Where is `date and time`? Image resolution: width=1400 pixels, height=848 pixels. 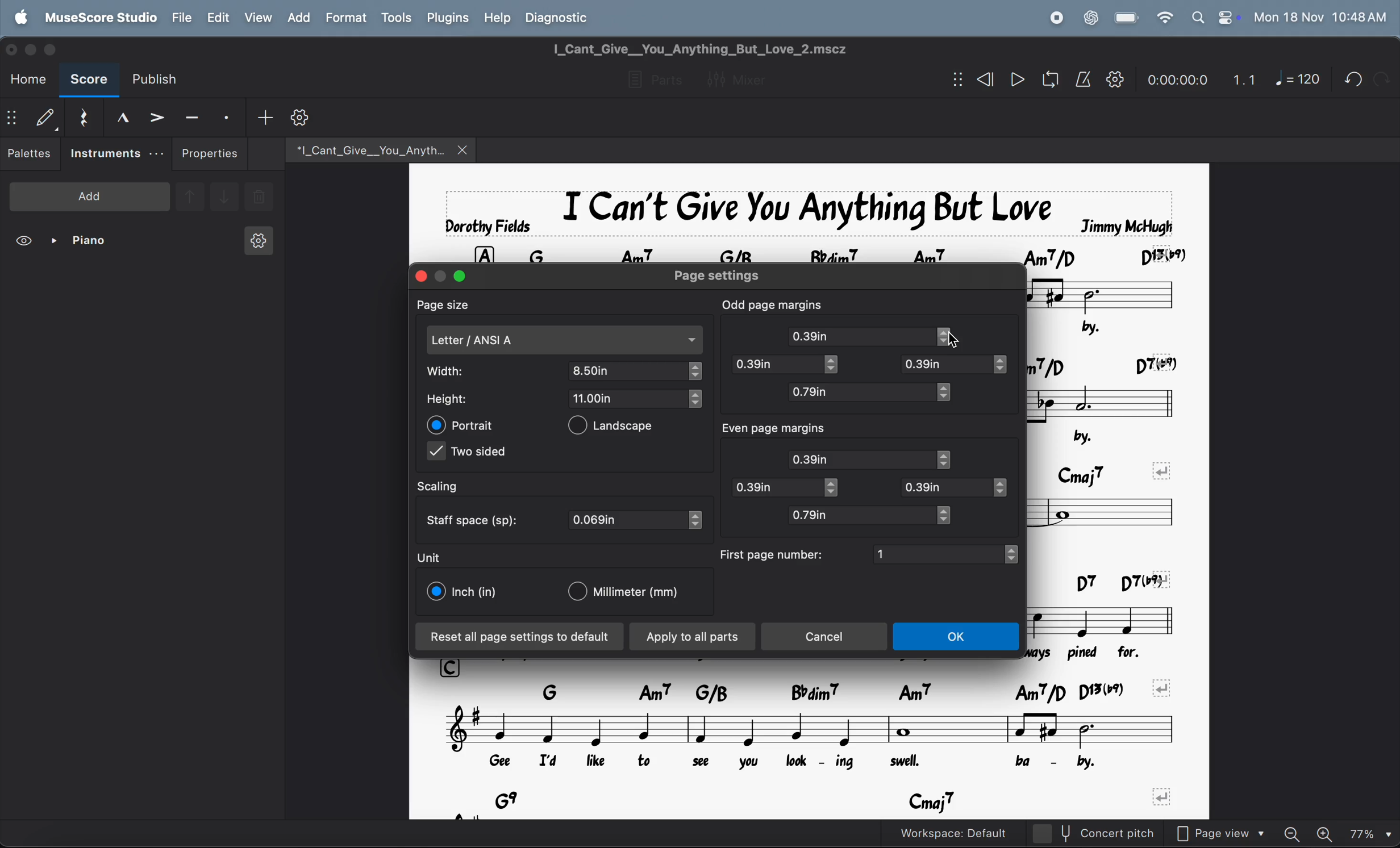
date and time is located at coordinates (1320, 16).